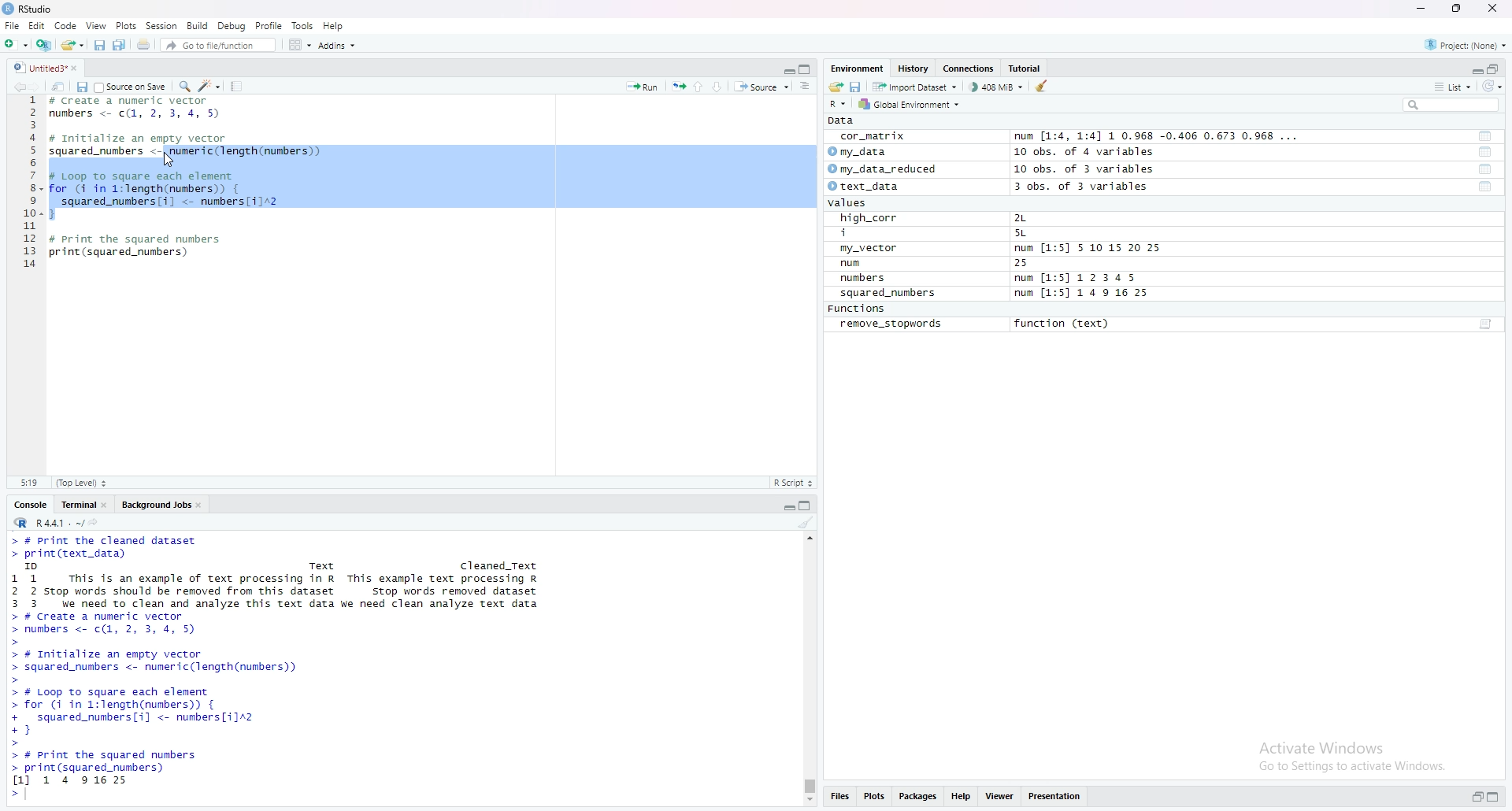 The width and height of the screenshot is (1512, 811). I want to click on # Create a number vector numbers <- c(1, 2, 3, 4,5), so click(139, 108).